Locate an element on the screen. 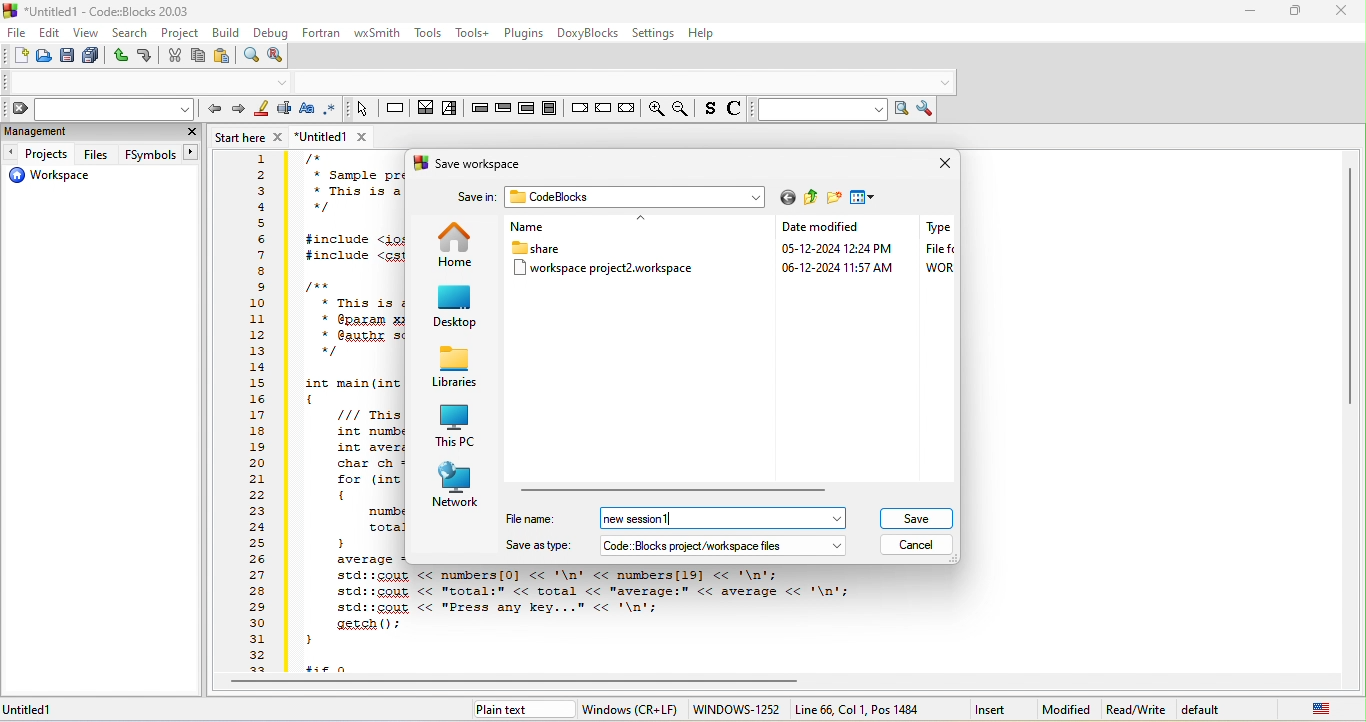  view is located at coordinates (87, 34).